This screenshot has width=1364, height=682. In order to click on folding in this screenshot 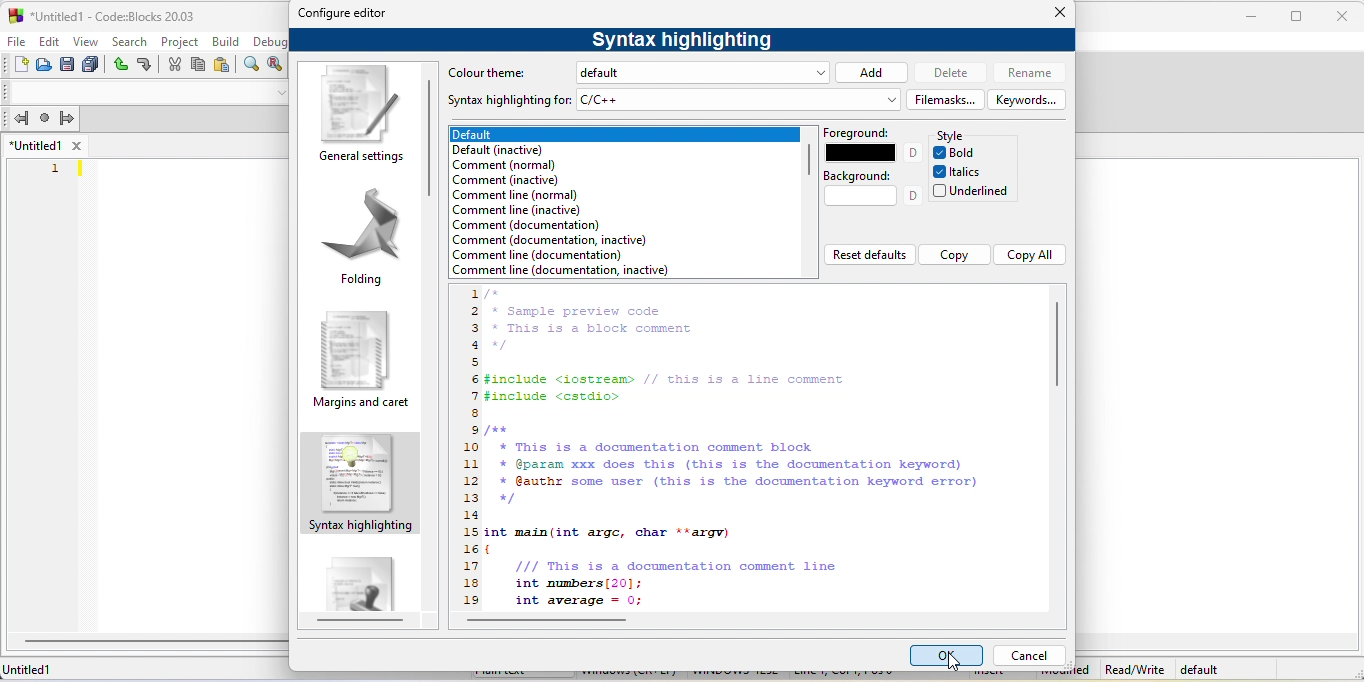, I will do `click(357, 238)`.